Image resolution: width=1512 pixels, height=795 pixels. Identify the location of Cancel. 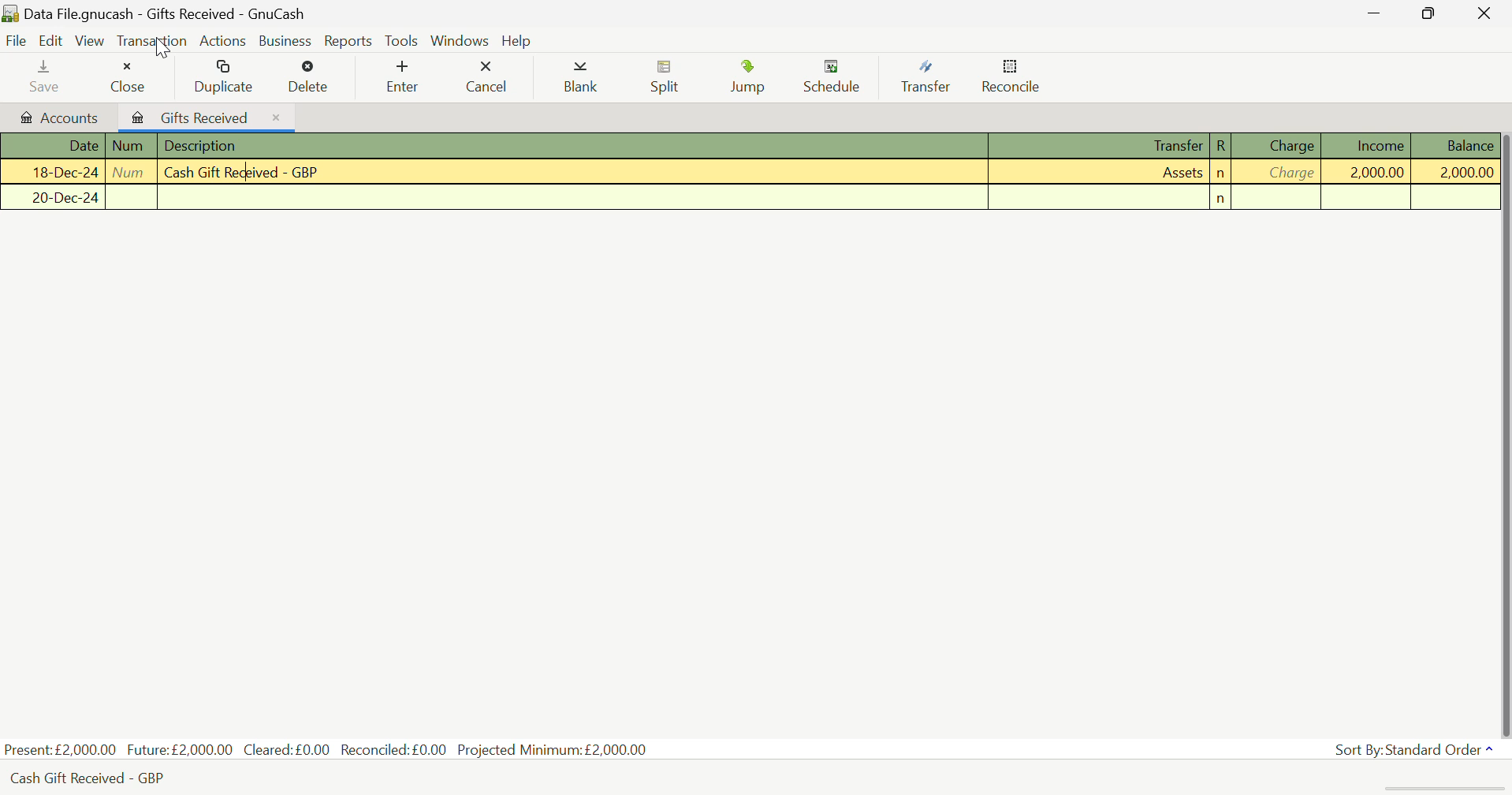
(486, 74).